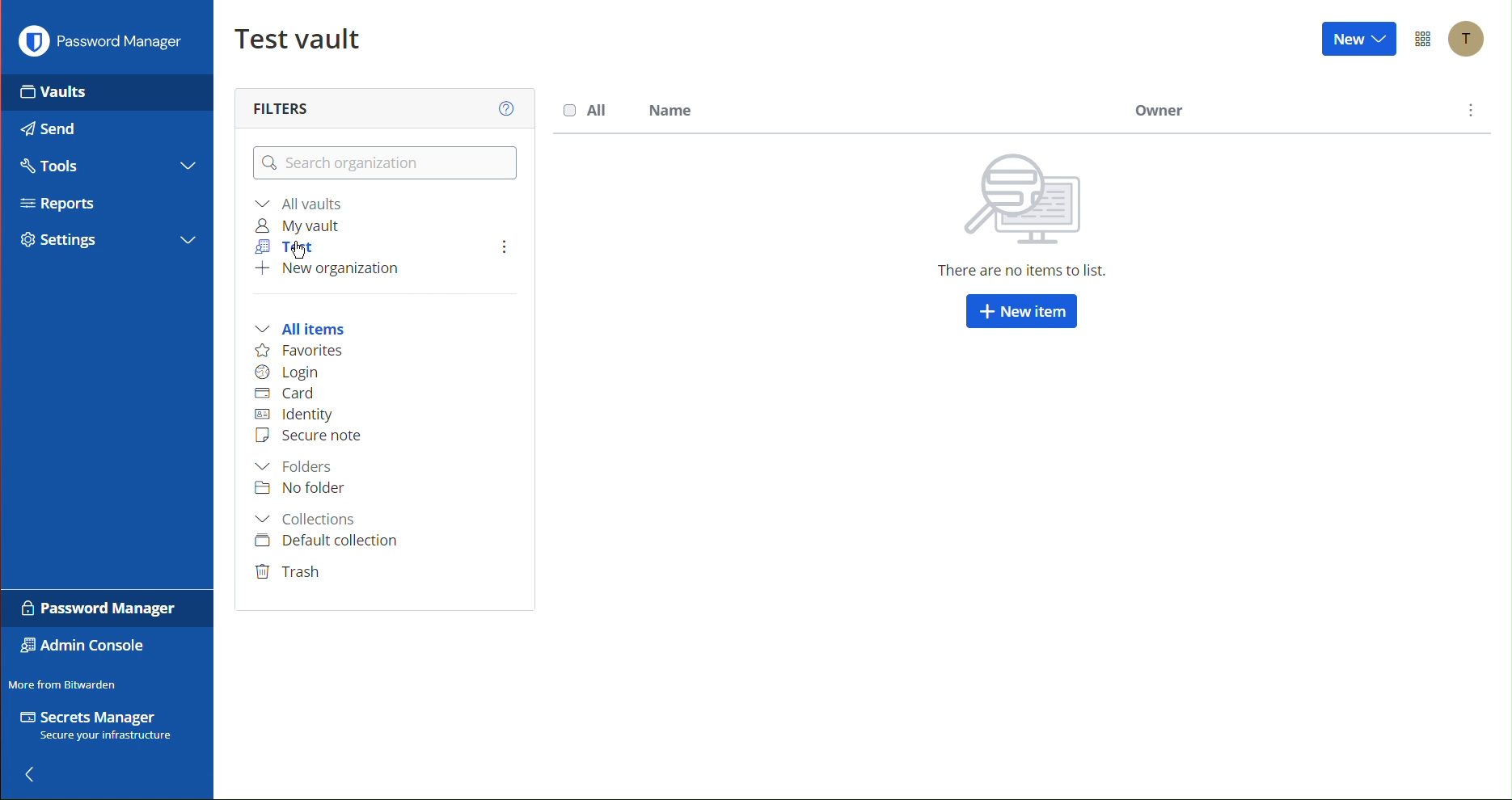 This screenshot has width=1512, height=800. I want to click on Help, so click(506, 110).